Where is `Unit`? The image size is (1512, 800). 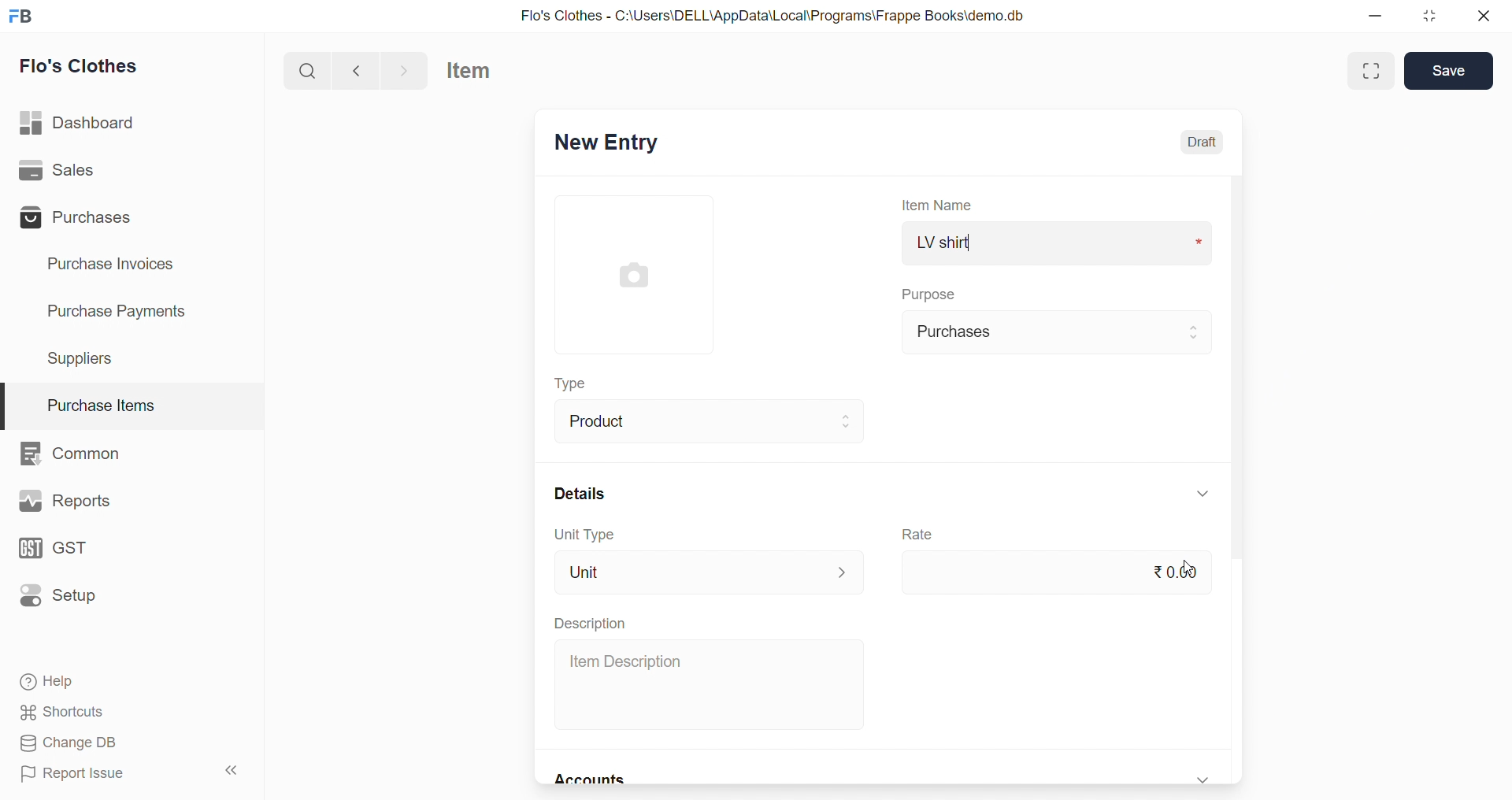
Unit is located at coordinates (710, 572).